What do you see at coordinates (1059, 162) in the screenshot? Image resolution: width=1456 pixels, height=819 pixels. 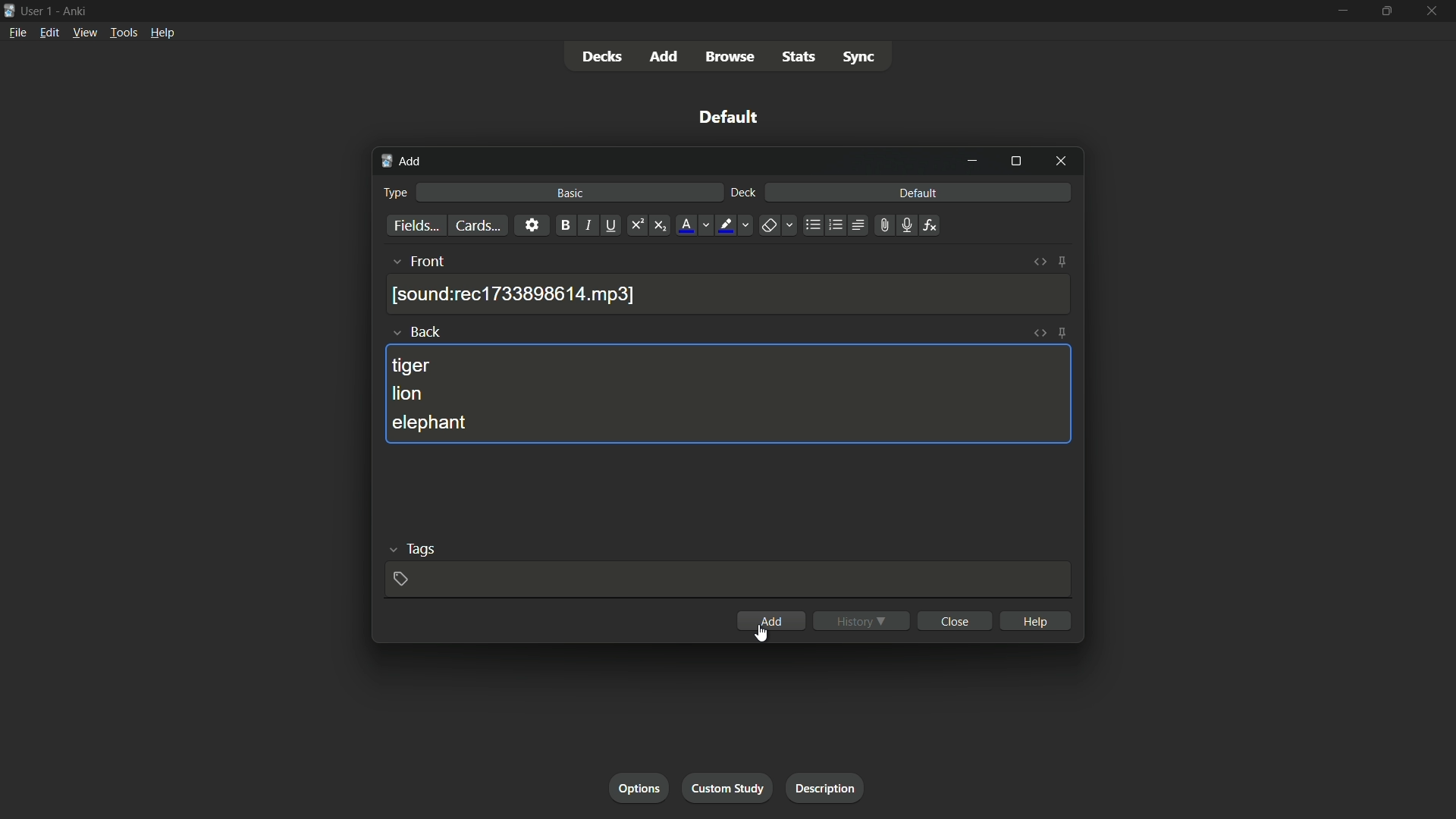 I see `close window` at bounding box center [1059, 162].